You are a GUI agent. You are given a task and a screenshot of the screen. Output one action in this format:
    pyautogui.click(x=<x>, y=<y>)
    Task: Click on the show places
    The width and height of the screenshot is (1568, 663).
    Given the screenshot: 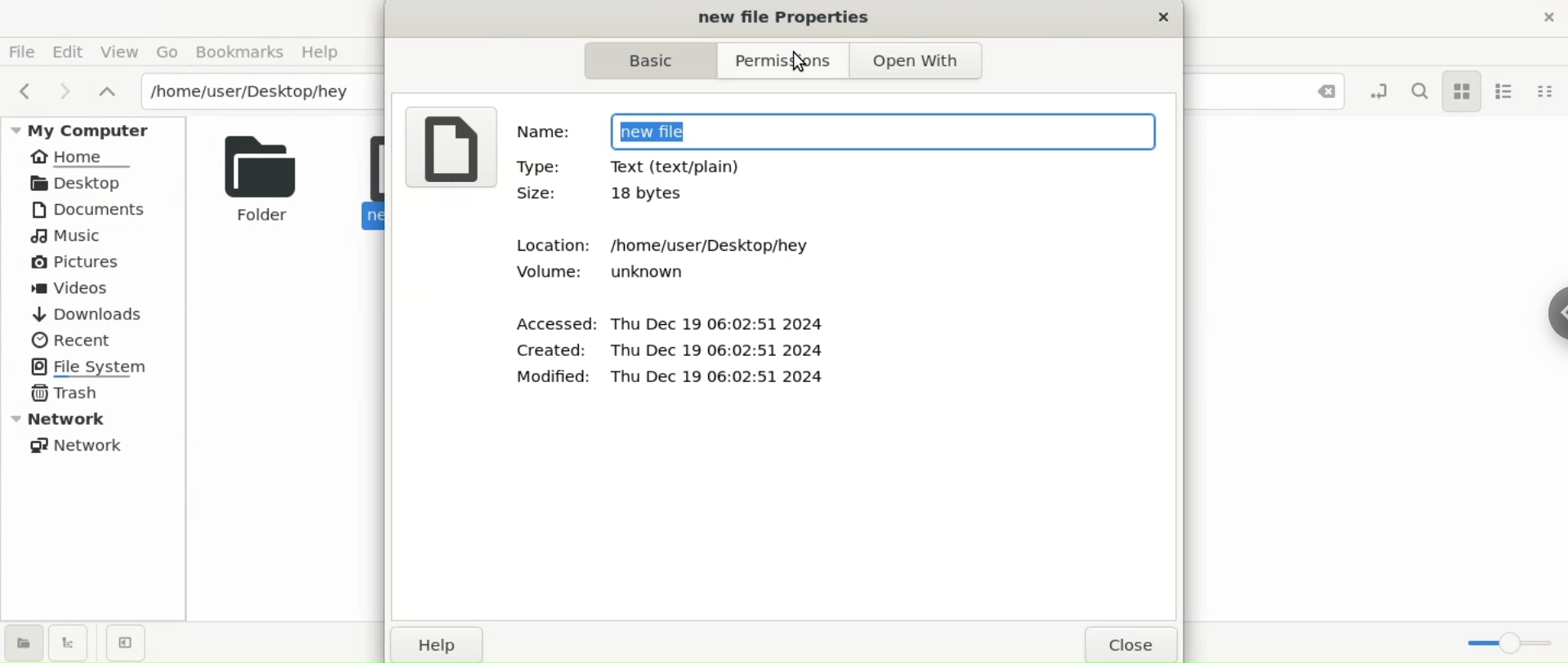 What is the action you would take?
    pyautogui.click(x=23, y=642)
    